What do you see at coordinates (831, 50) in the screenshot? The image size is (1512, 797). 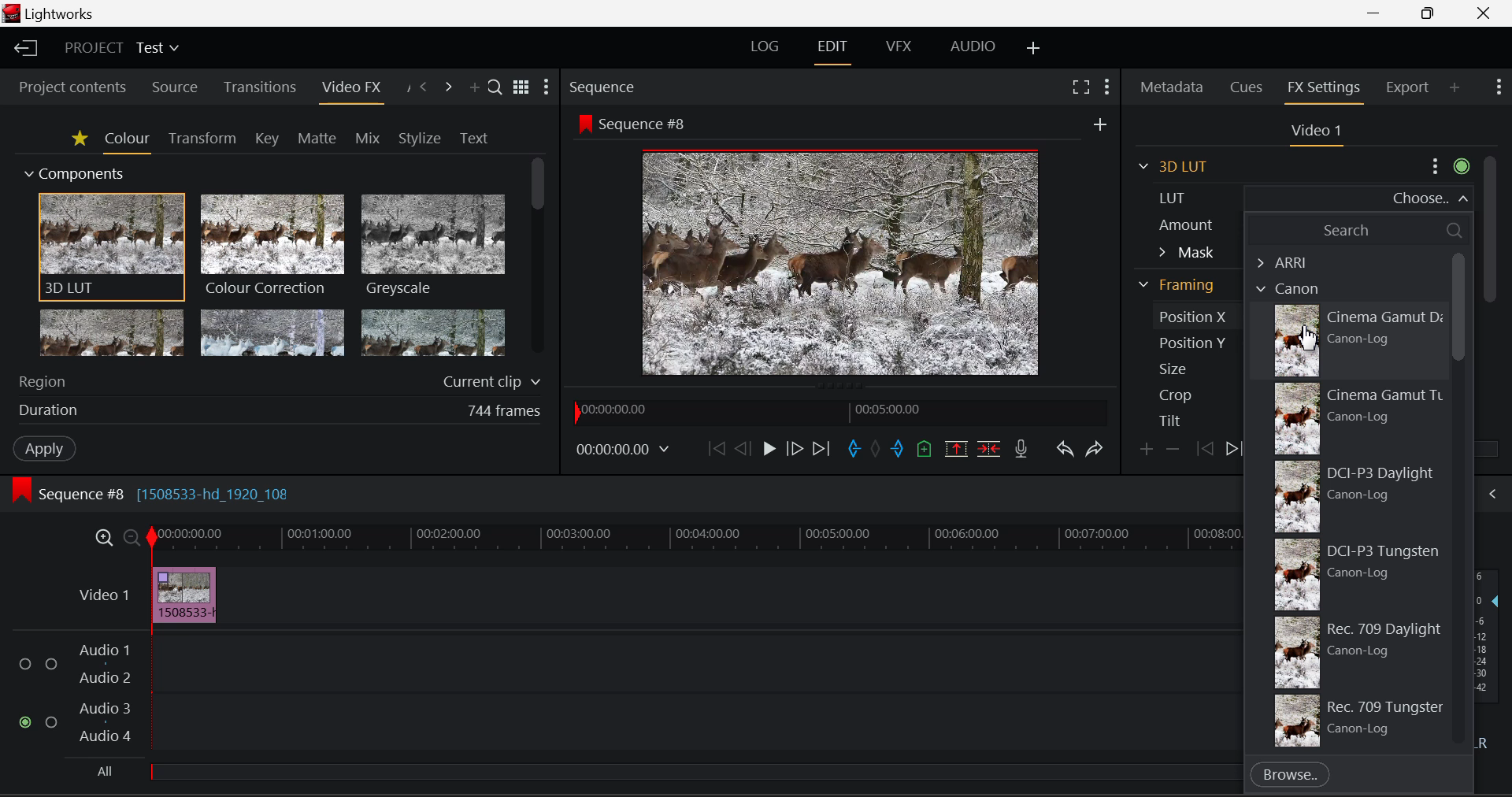 I see `EDIT Layout` at bounding box center [831, 50].